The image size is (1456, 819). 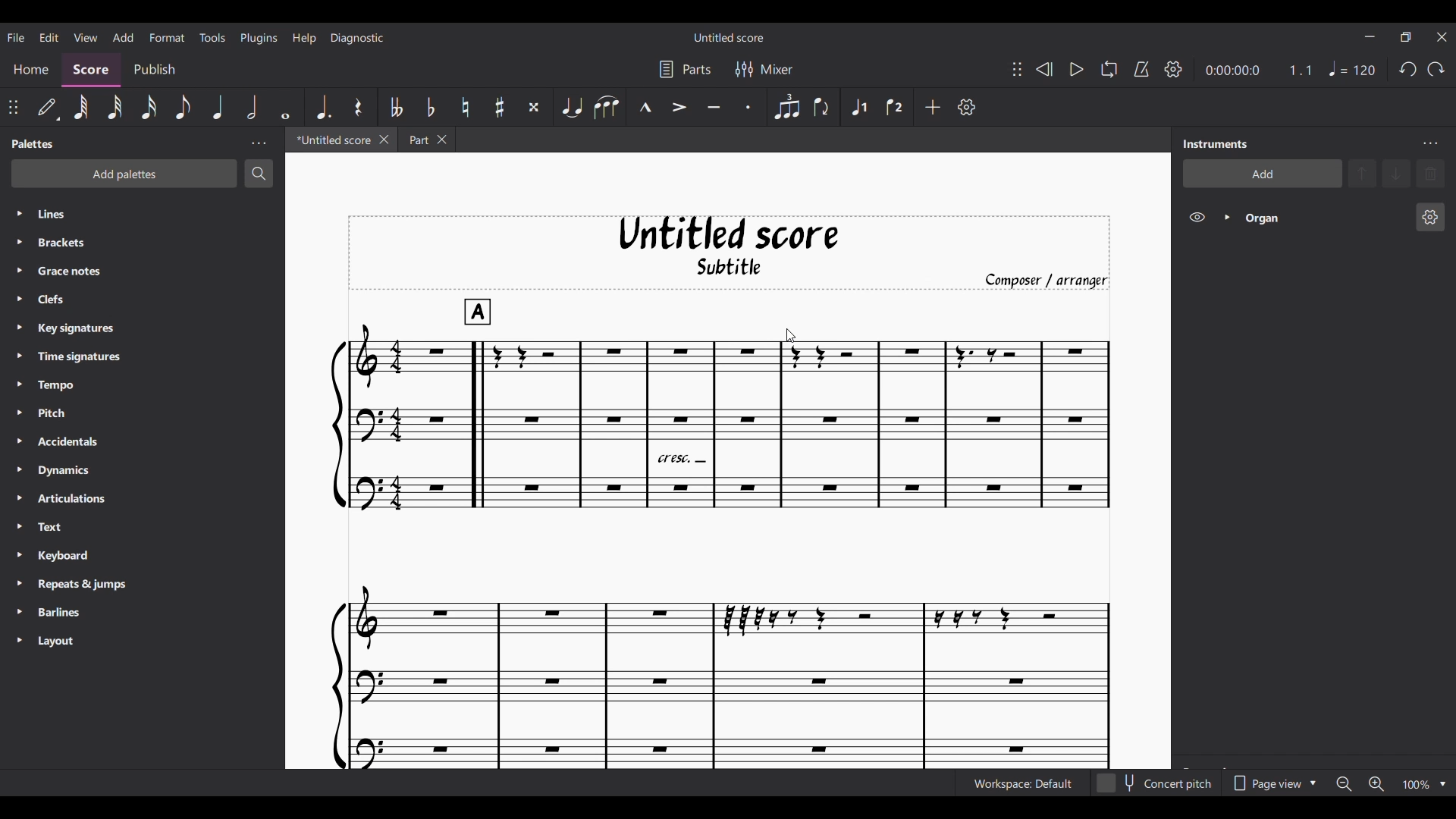 What do you see at coordinates (1443, 784) in the screenshot?
I see `Zoom options` at bounding box center [1443, 784].